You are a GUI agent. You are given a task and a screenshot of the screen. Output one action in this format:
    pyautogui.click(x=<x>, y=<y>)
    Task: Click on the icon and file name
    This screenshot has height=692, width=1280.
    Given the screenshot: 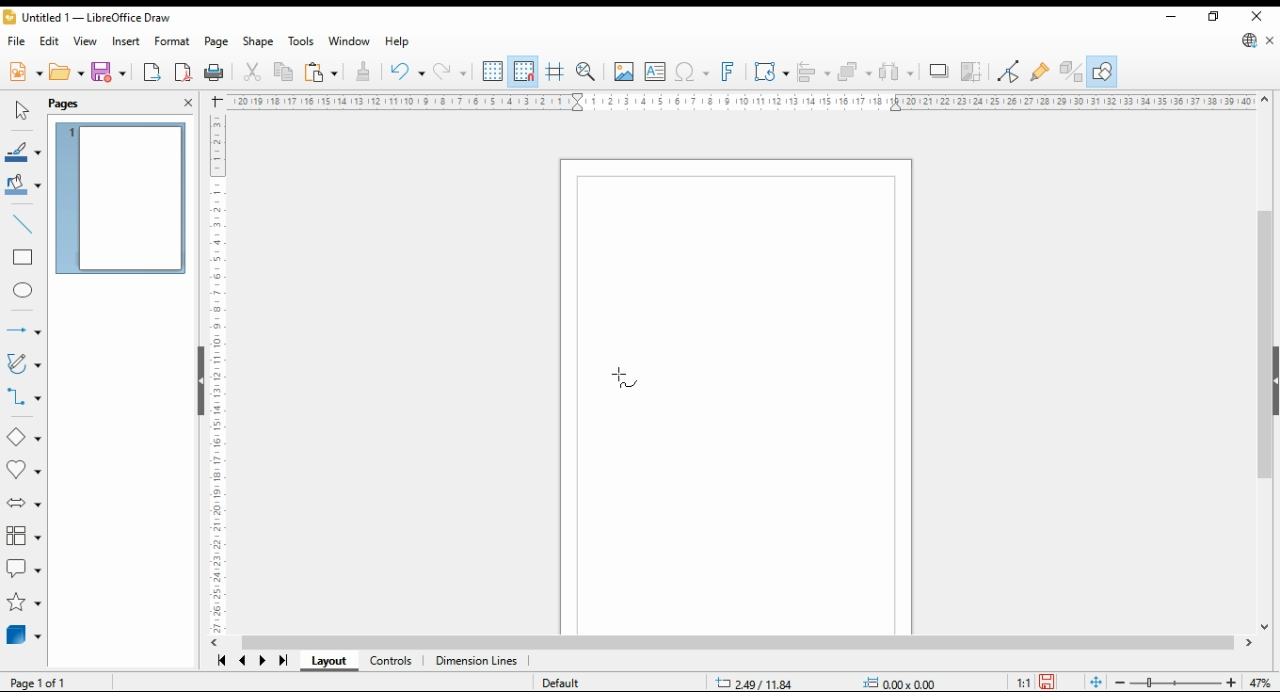 What is the action you would take?
    pyautogui.click(x=88, y=17)
    